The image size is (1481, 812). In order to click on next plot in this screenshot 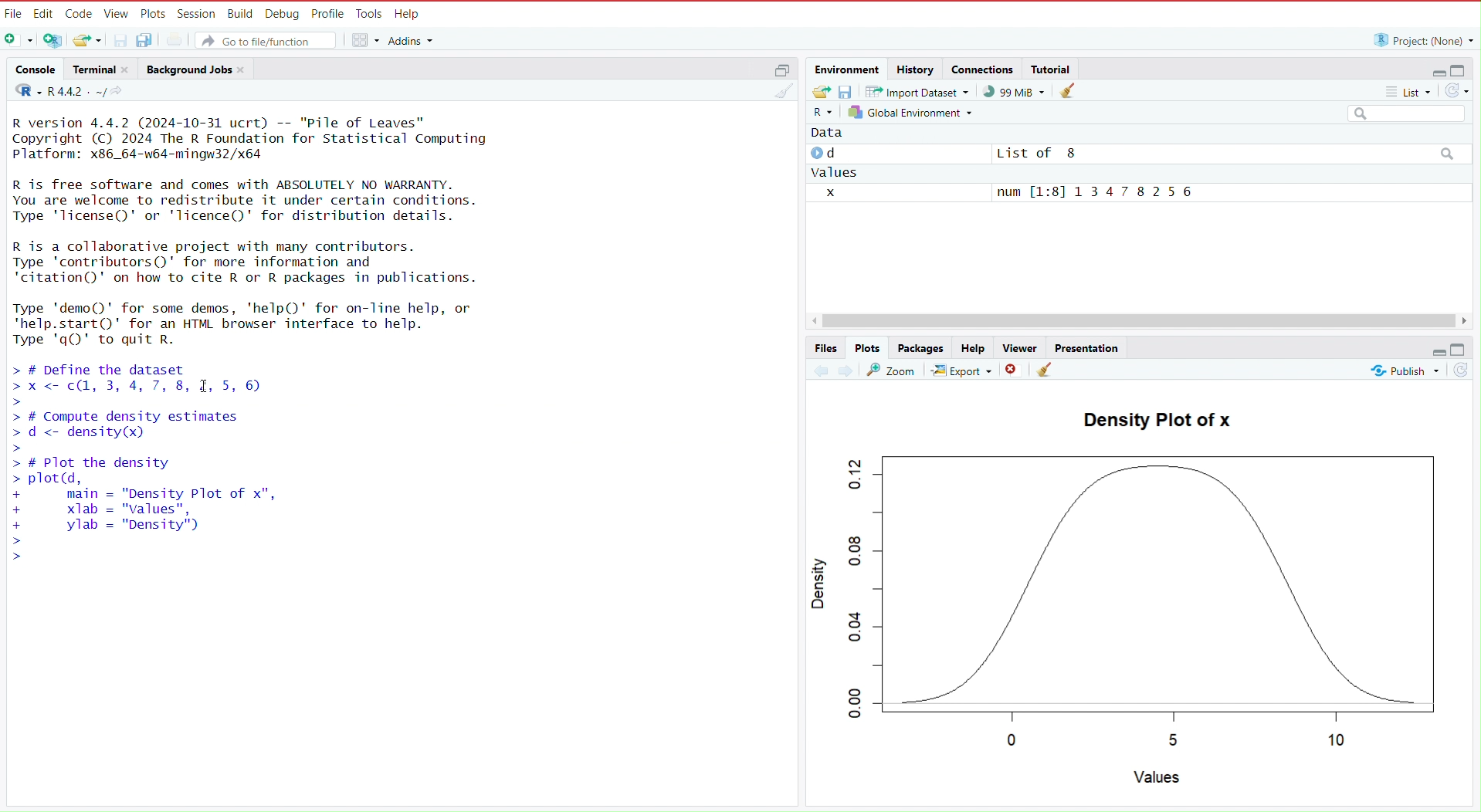, I will do `click(846, 371)`.